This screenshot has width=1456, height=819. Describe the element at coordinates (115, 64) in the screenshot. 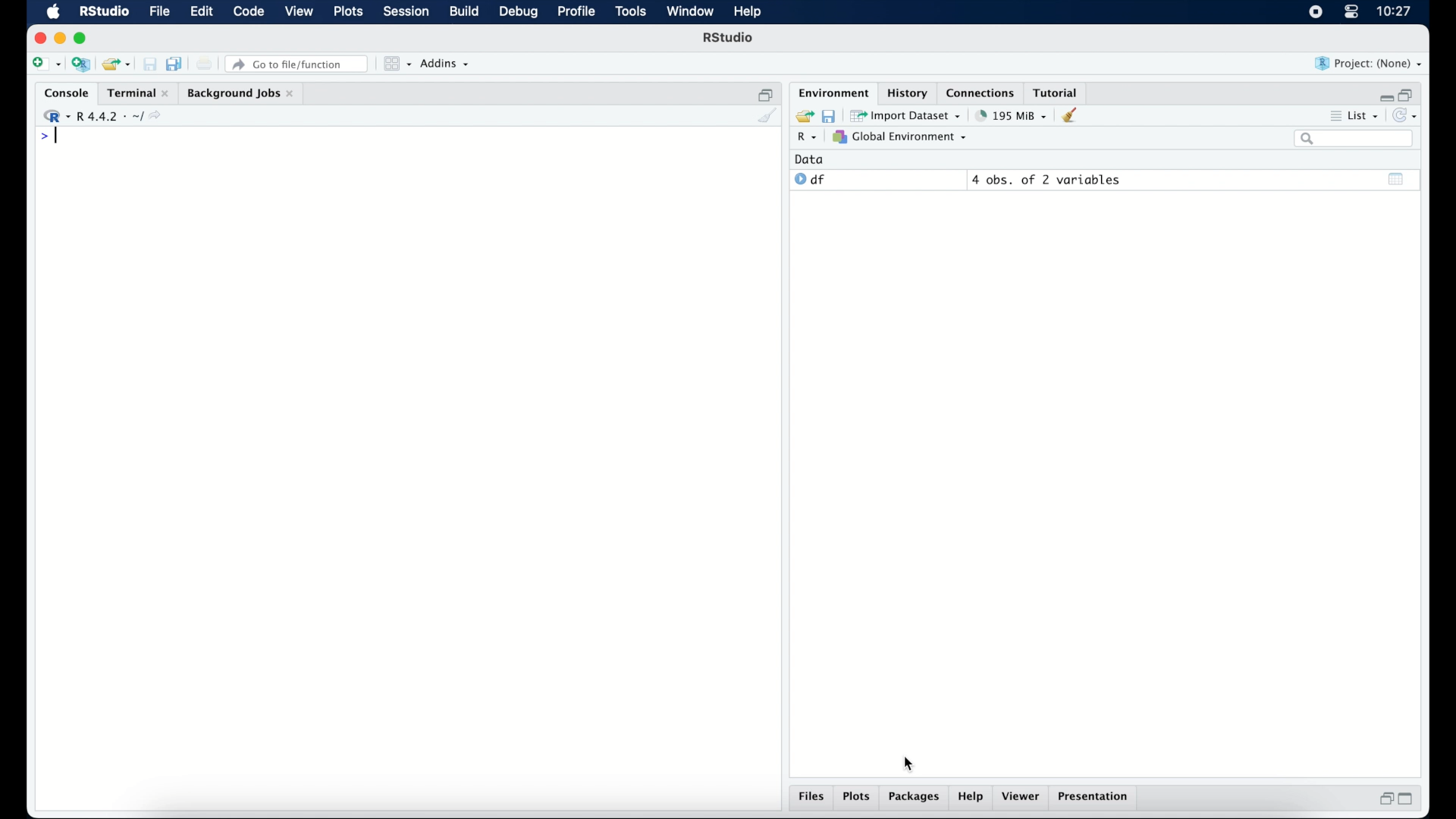

I see `load existing project` at that location.